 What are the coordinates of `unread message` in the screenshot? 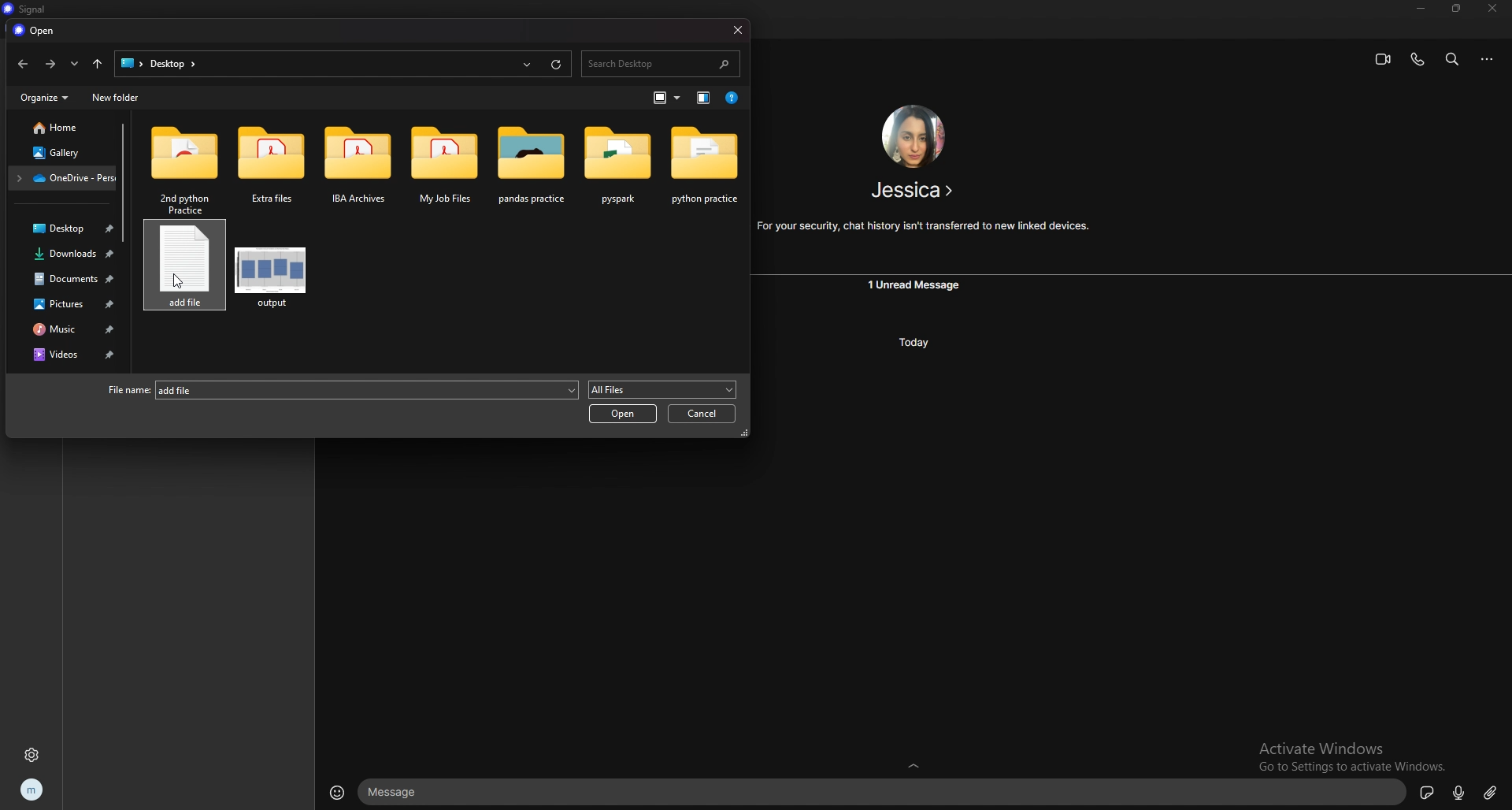 It's located at (916, 285).